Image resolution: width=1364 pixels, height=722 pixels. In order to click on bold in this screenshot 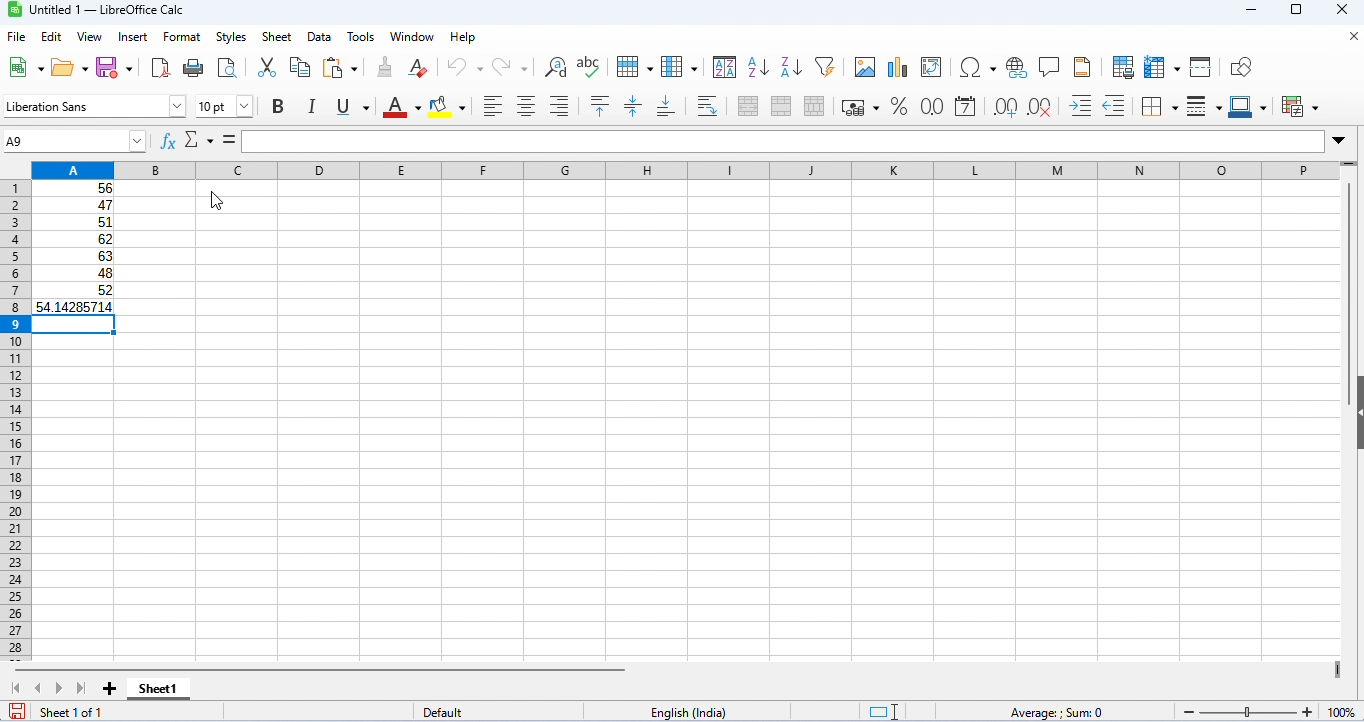, I will do `click(278, 107)`.